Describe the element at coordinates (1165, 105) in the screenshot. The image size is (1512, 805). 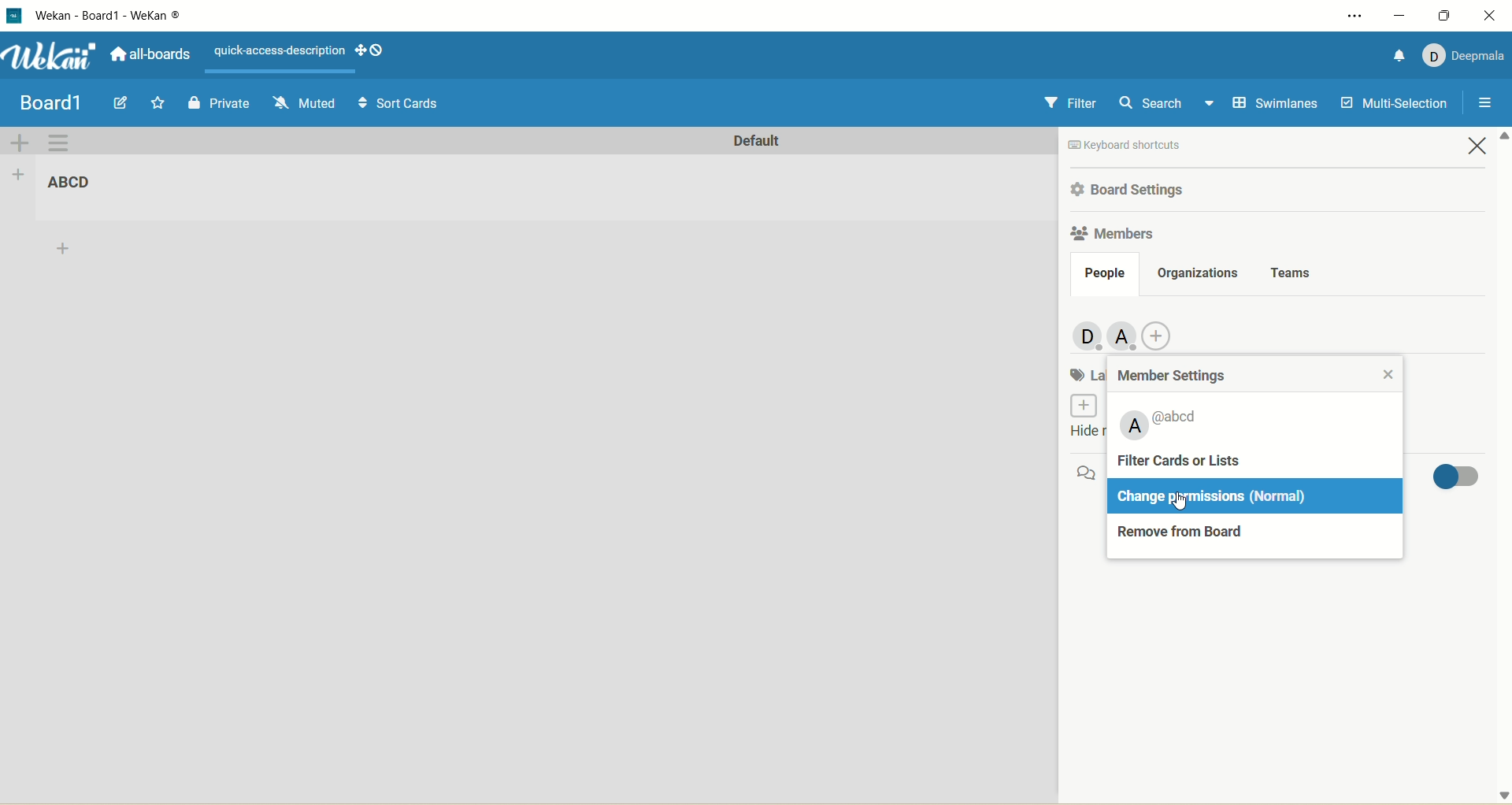
I see `search` at that location.